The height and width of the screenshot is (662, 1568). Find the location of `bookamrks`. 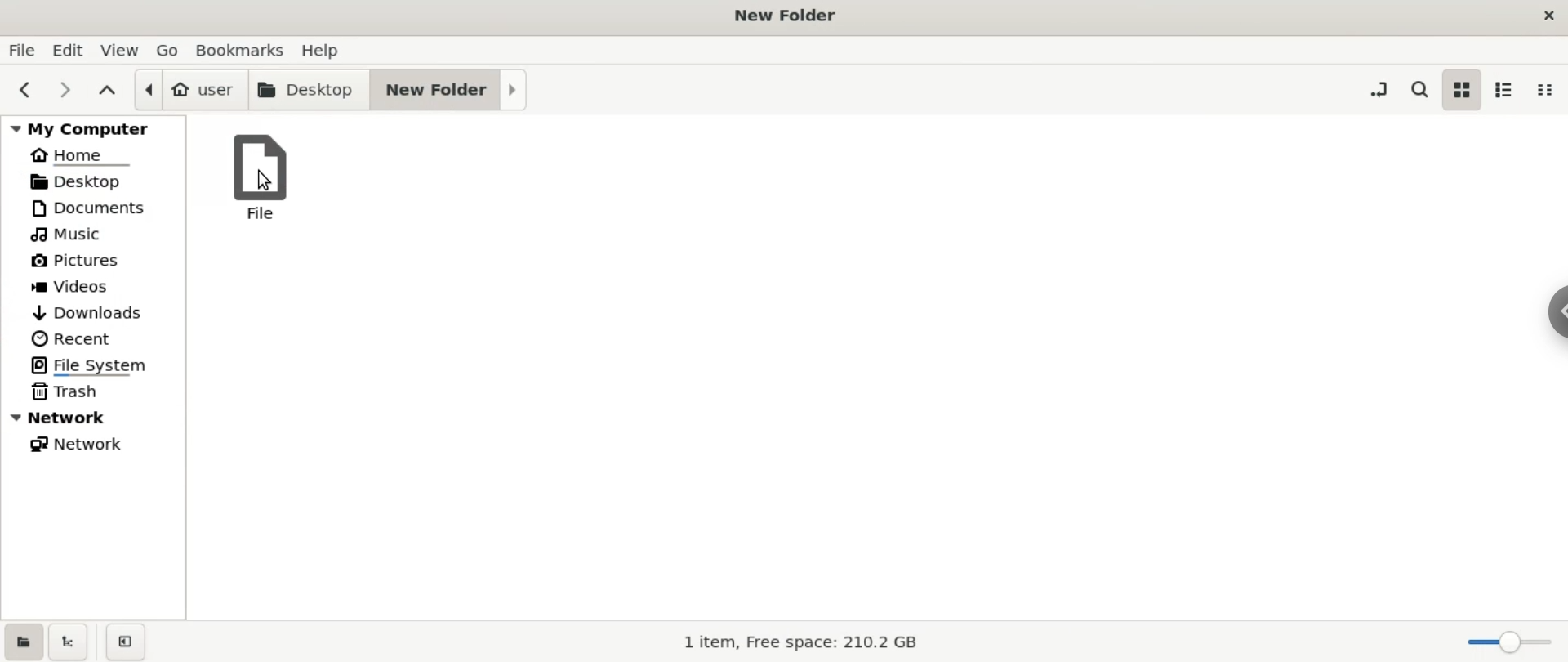

bookamrks is located at coordinates (243, 49).